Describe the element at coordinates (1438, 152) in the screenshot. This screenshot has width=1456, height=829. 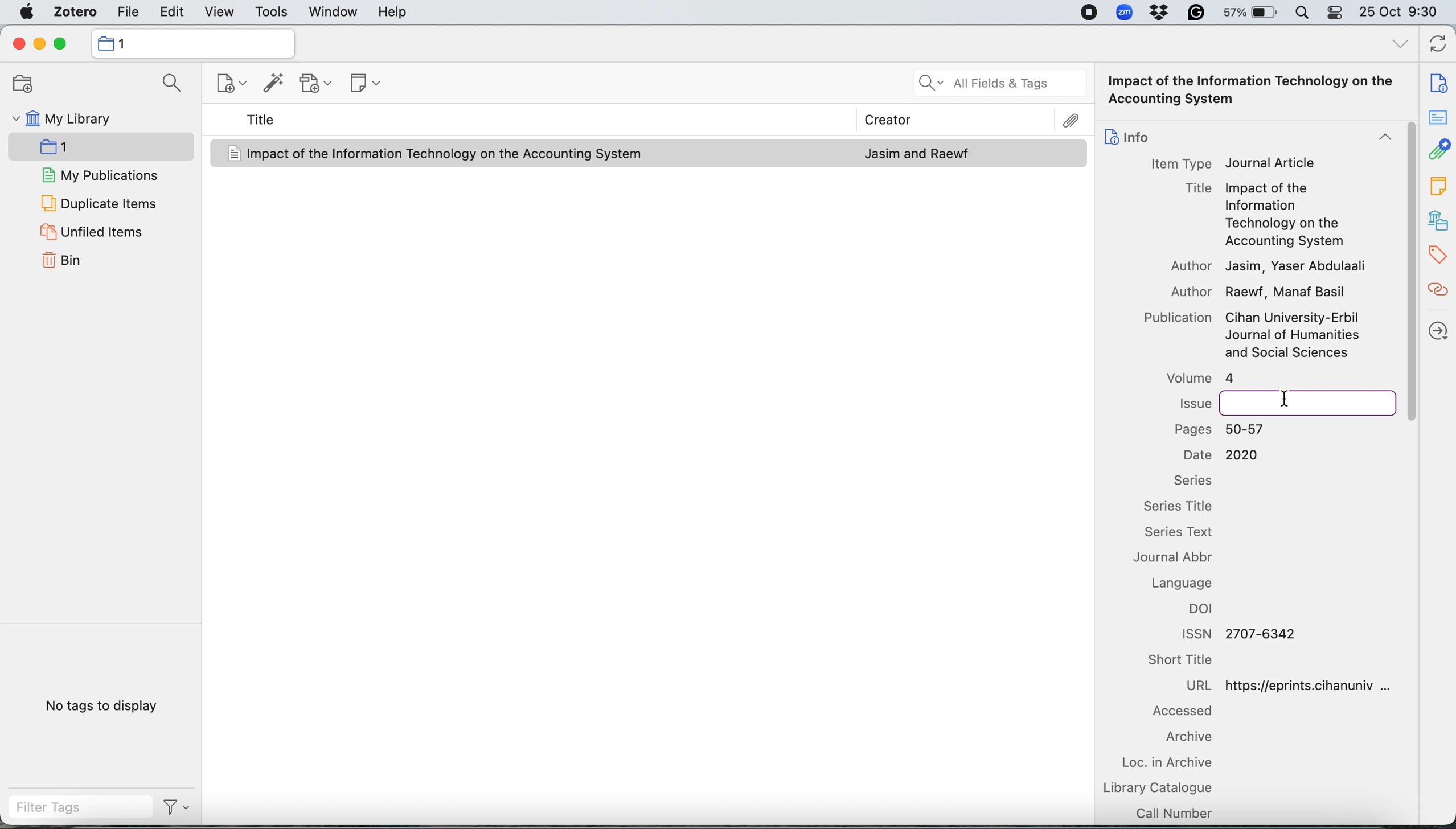
I see `attachments` at that location.